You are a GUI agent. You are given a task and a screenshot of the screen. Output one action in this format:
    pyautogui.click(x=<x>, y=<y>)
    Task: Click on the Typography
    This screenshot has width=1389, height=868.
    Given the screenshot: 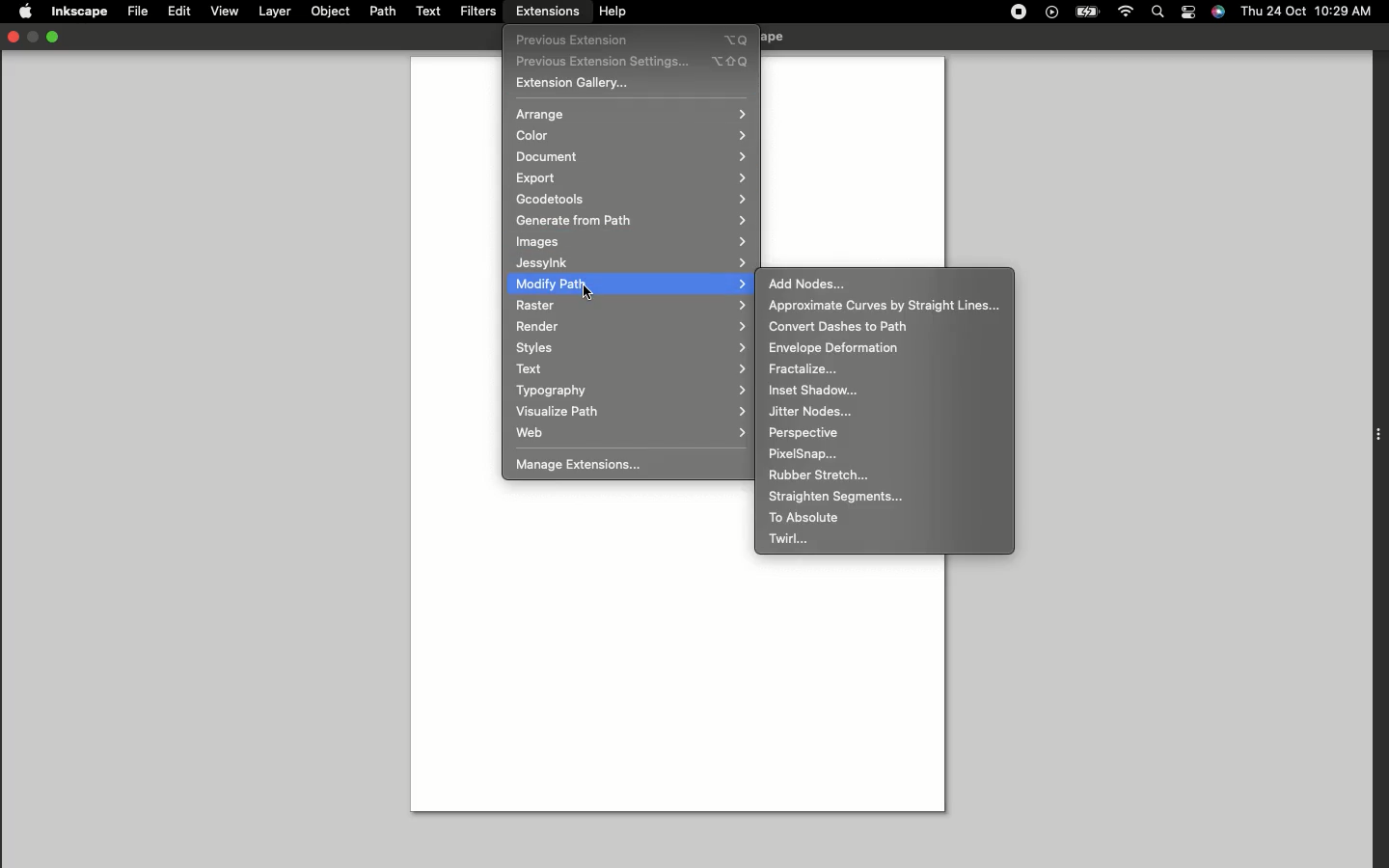 What is the action you would take?
    pyautogui.click(x=635, y=390)
    